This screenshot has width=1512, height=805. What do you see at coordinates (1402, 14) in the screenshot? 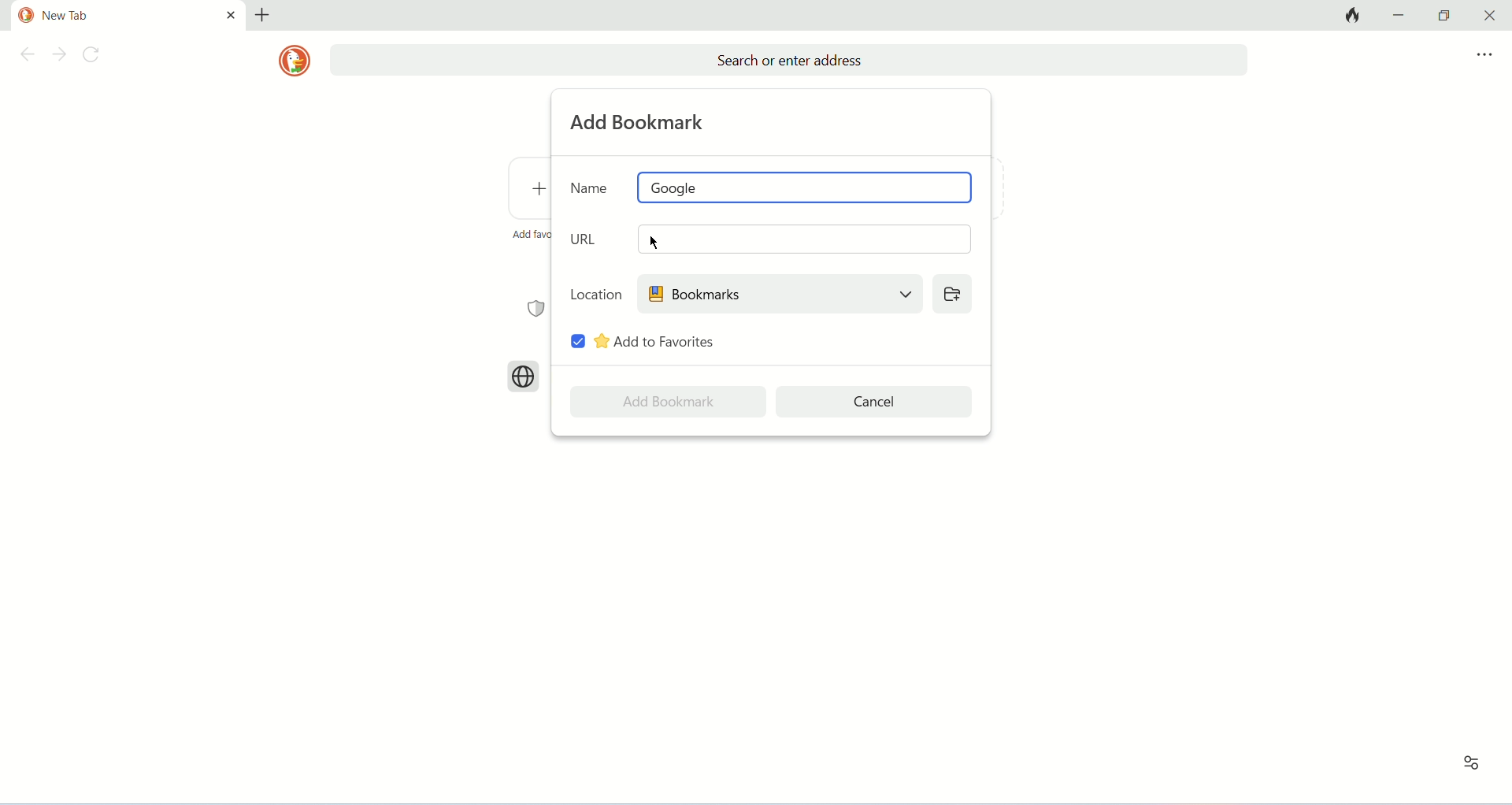
I see `minimize` at bounding box center [1402, 14].